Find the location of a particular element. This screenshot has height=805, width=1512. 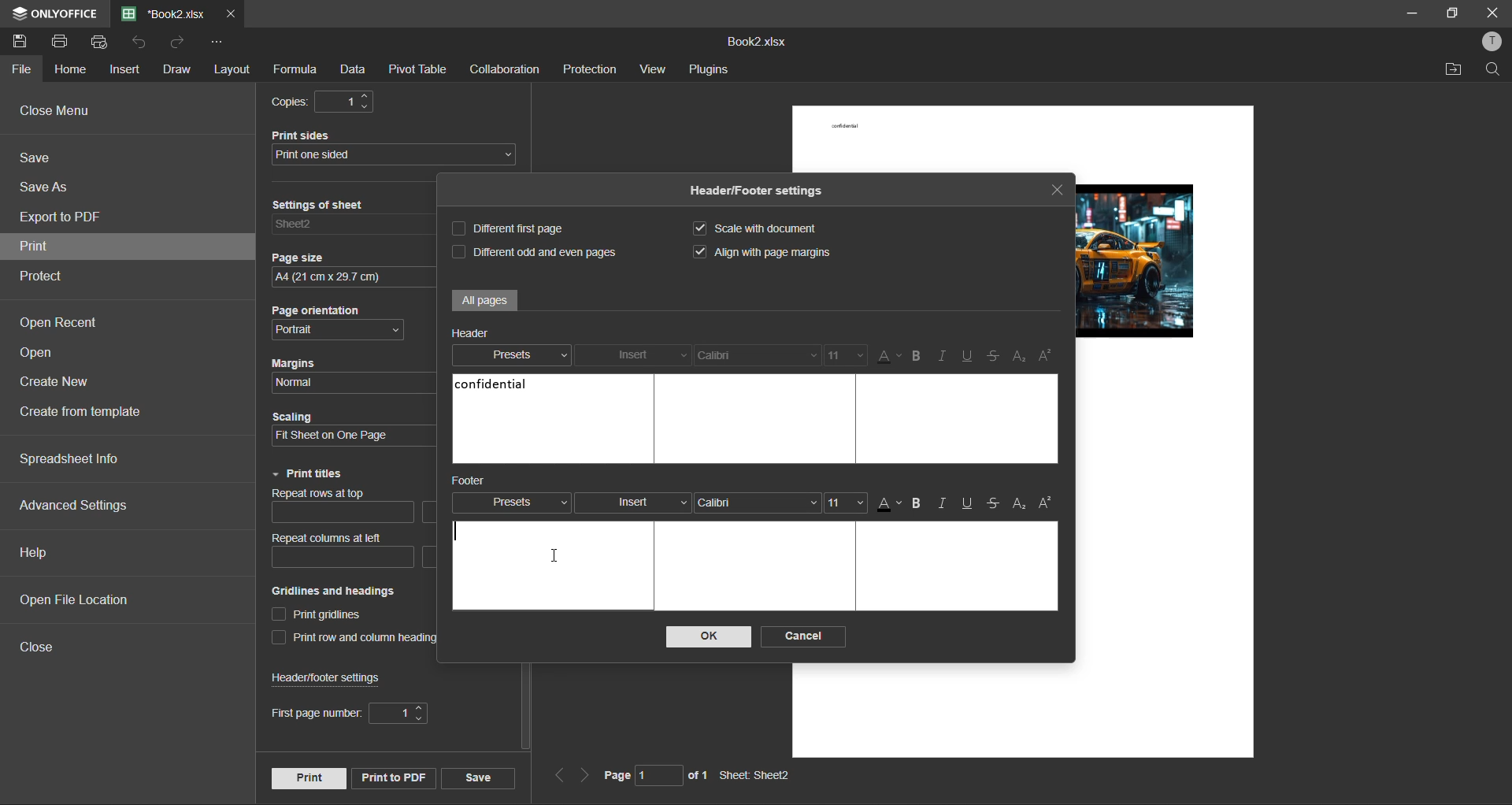

quick print is located at coordinates (104, 43).